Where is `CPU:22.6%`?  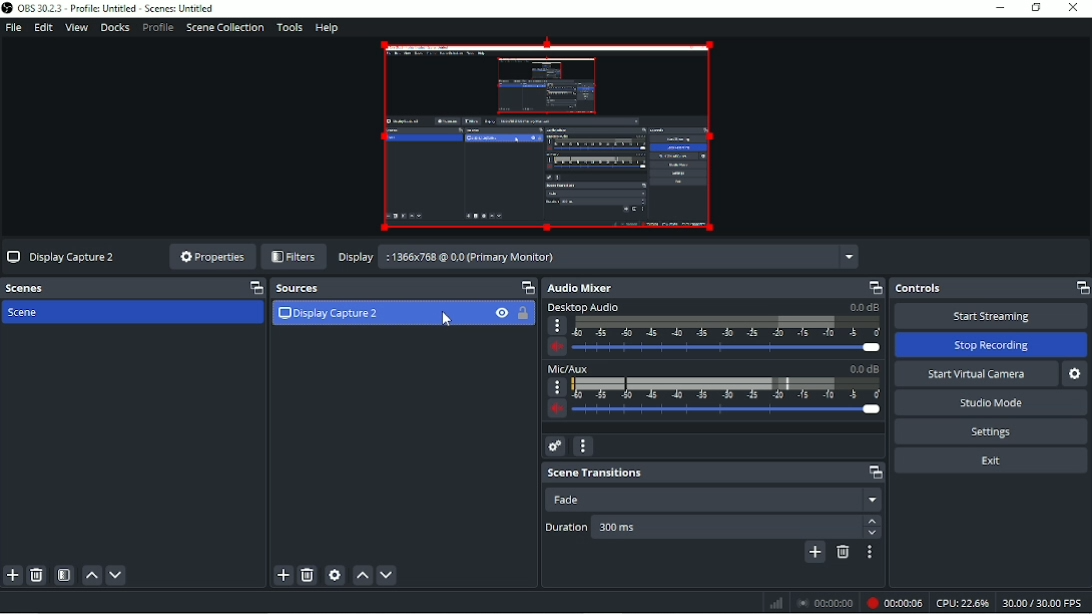
CPU:22.6% is located at coordinates (961, 603).